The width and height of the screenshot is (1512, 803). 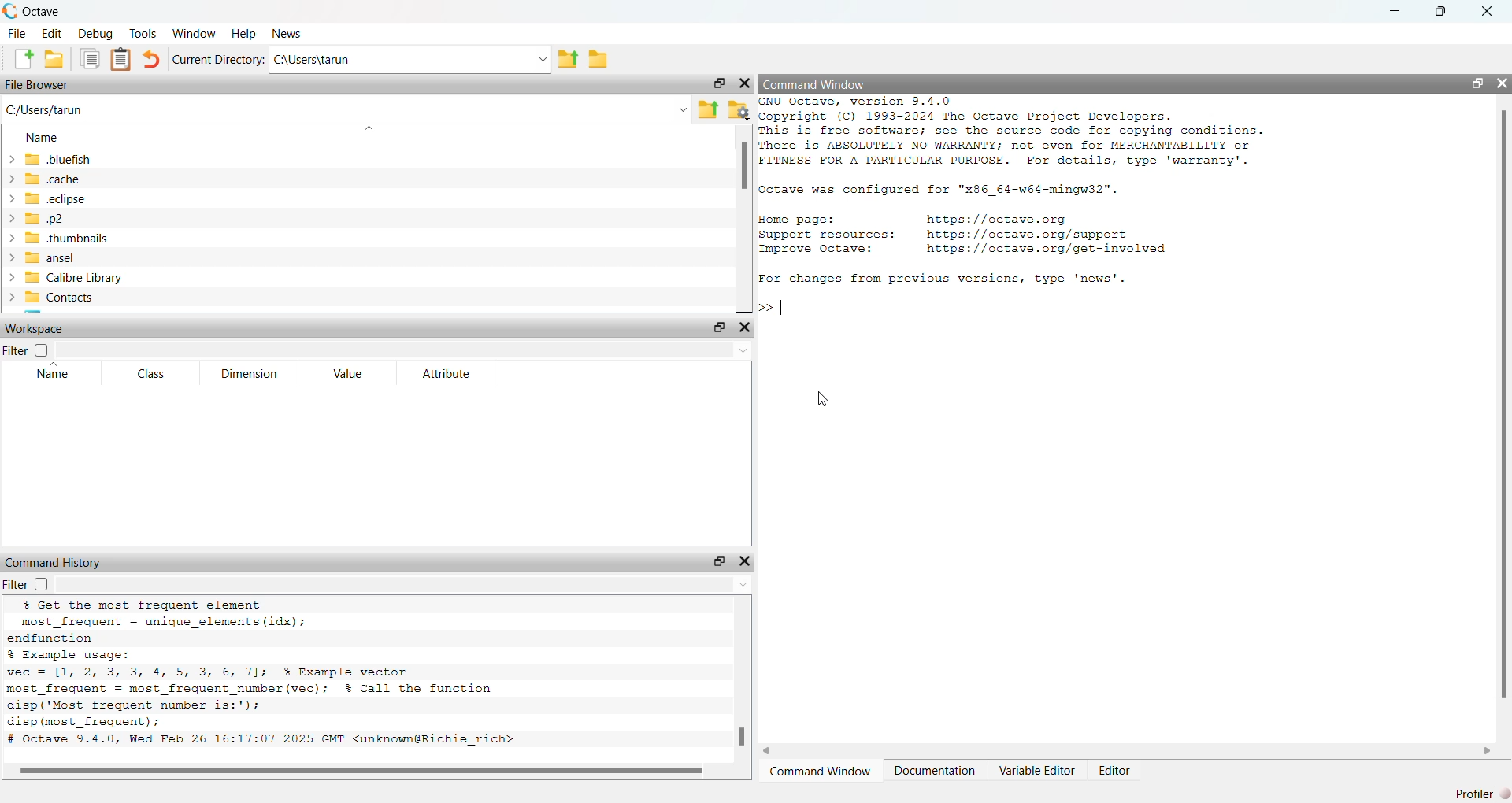 I want to click on Command Window, so click(x=815, y=84).